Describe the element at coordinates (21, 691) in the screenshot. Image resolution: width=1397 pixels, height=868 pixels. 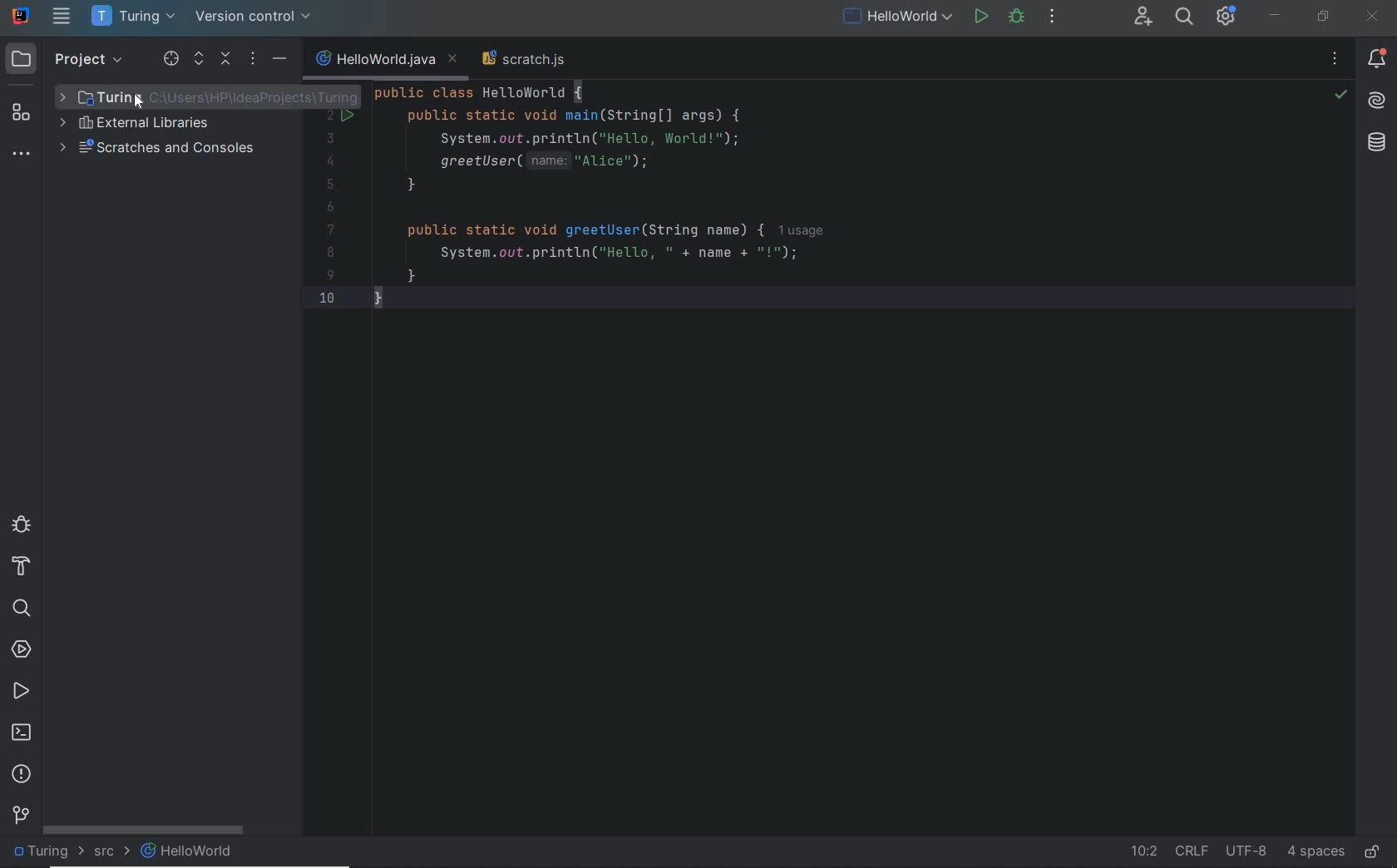
I see `run` at that location.